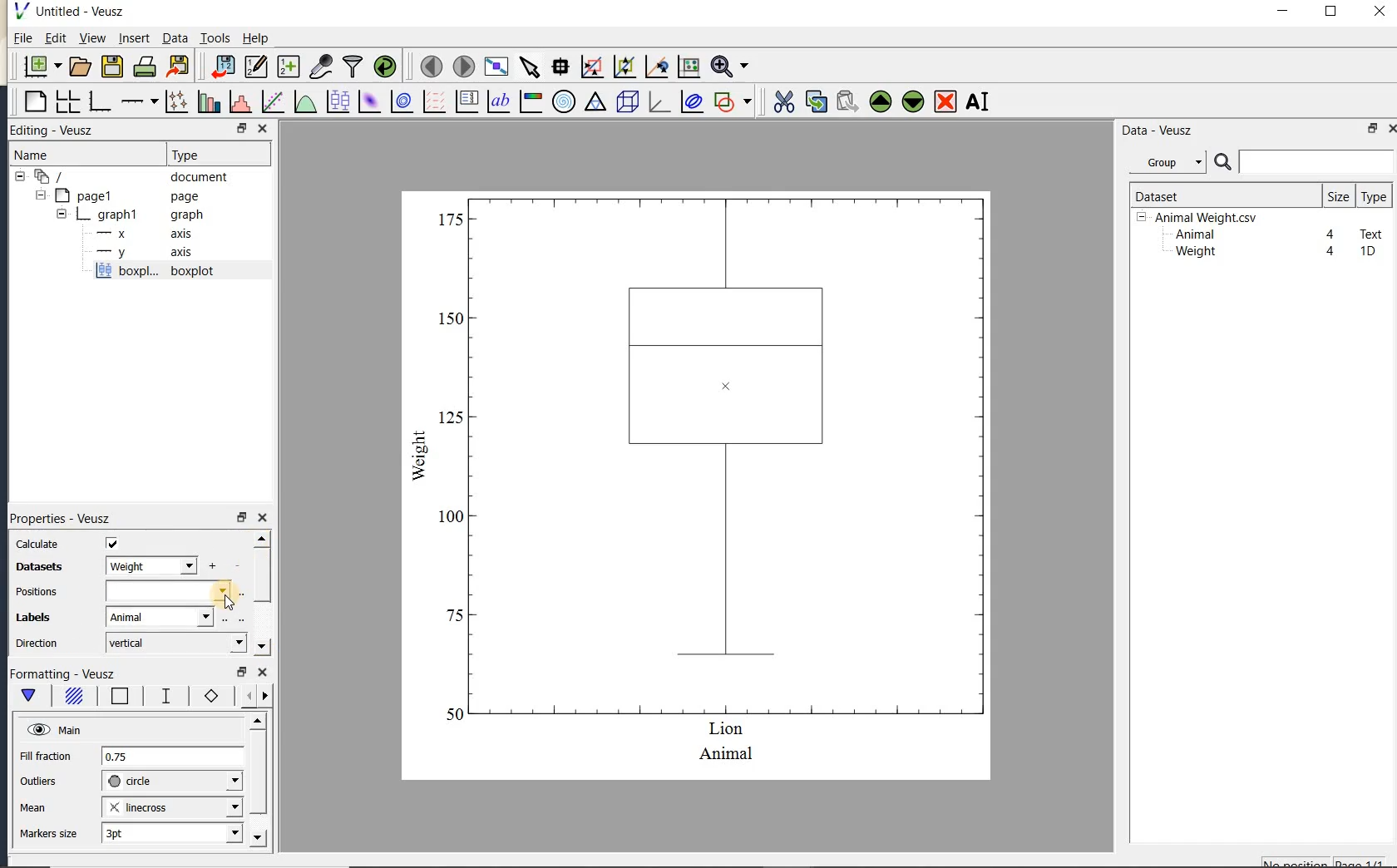 This screenshot has width=1397, height=868. Describe the element at coordinates (28, 698) in the screenshot. I see `main formatting` at that location.